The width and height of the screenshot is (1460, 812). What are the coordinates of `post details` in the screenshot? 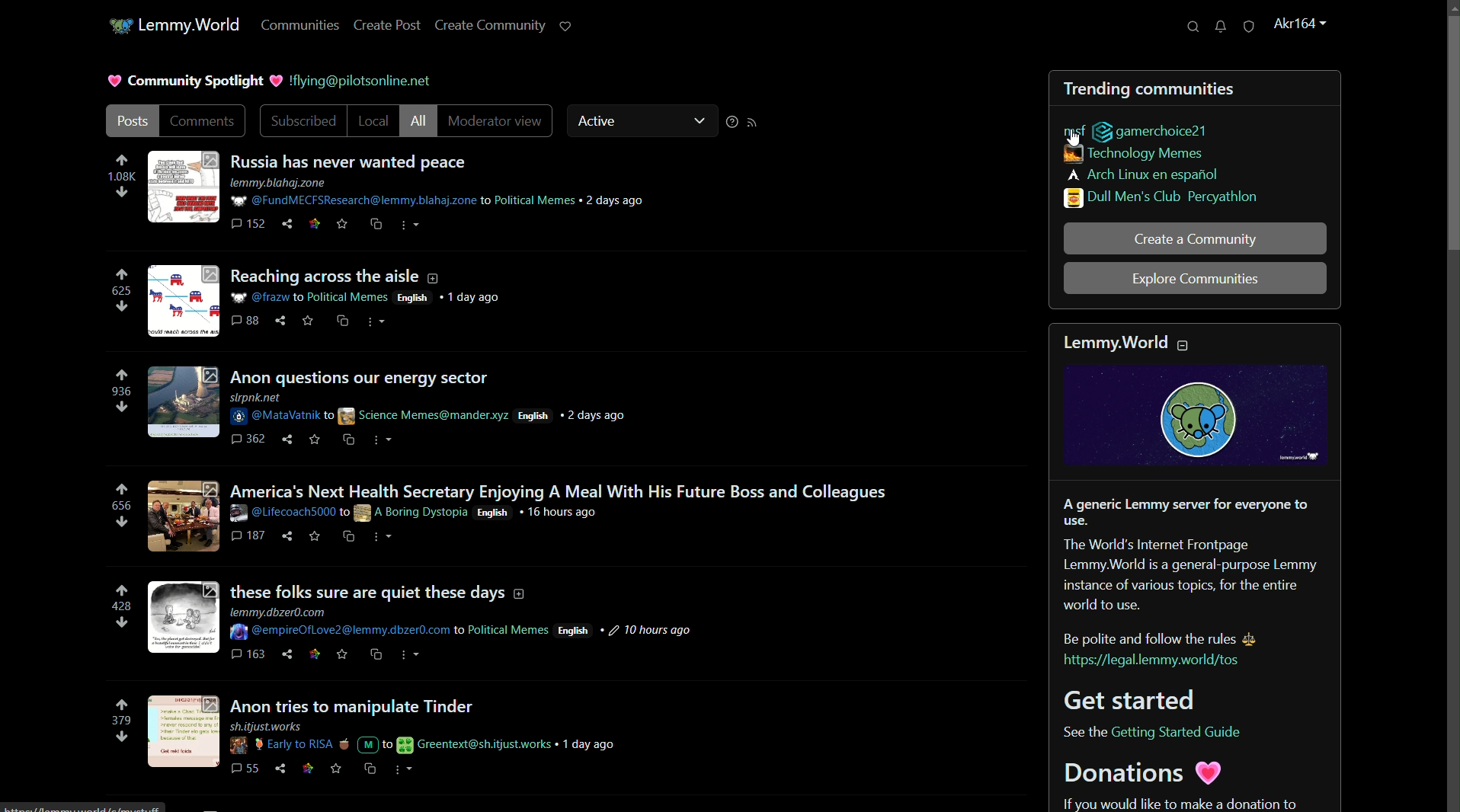 It's located at (467, 623).